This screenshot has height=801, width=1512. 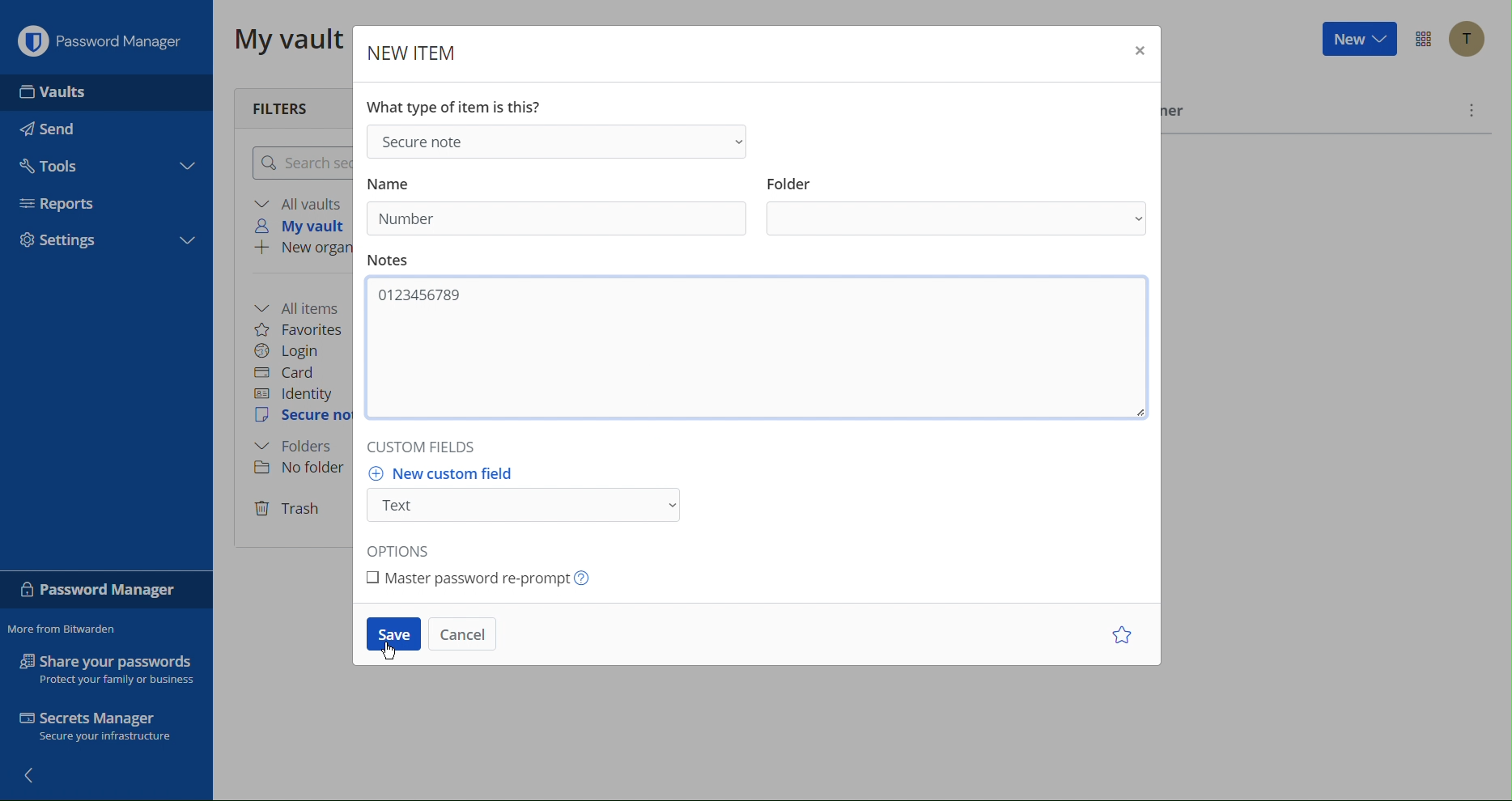 What do you see at coordinates (299, 163) in the screenshot?
I see `Search logins` at bounding box center [299, 163].